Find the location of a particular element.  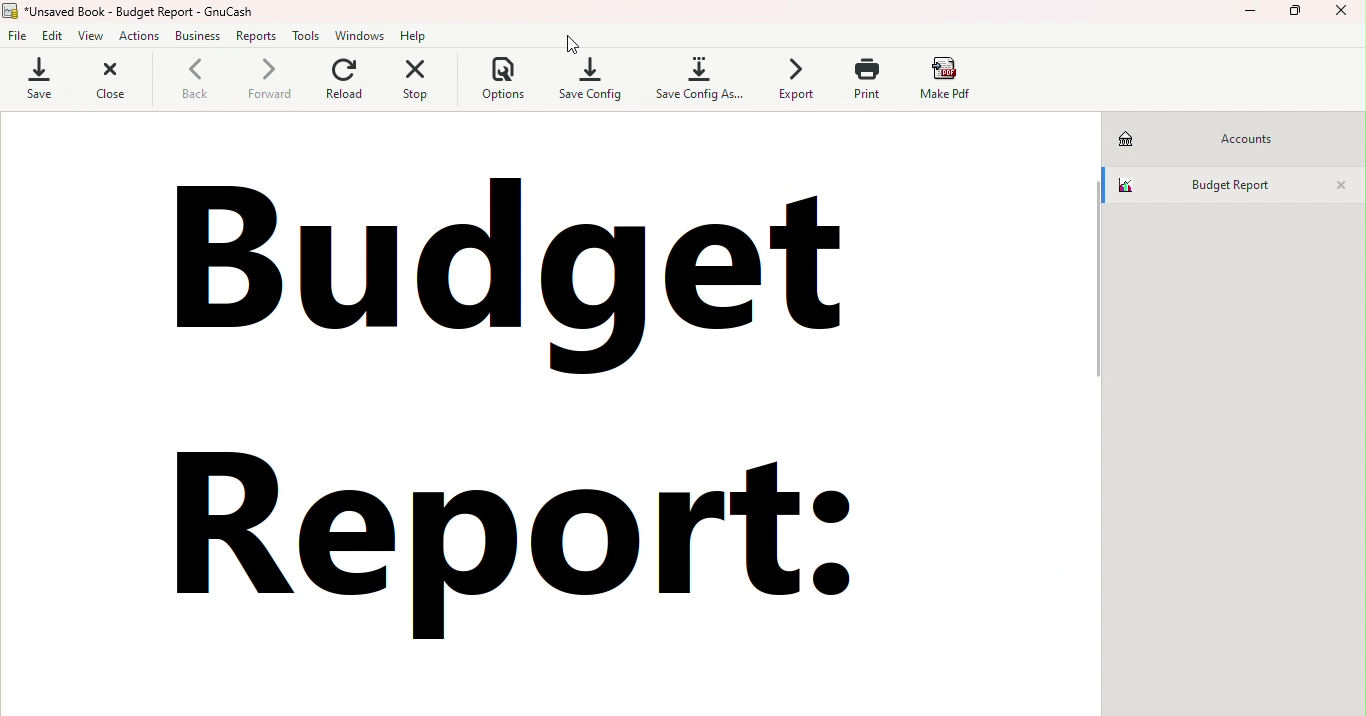

Accounts is located at coordinates (1231, 138).